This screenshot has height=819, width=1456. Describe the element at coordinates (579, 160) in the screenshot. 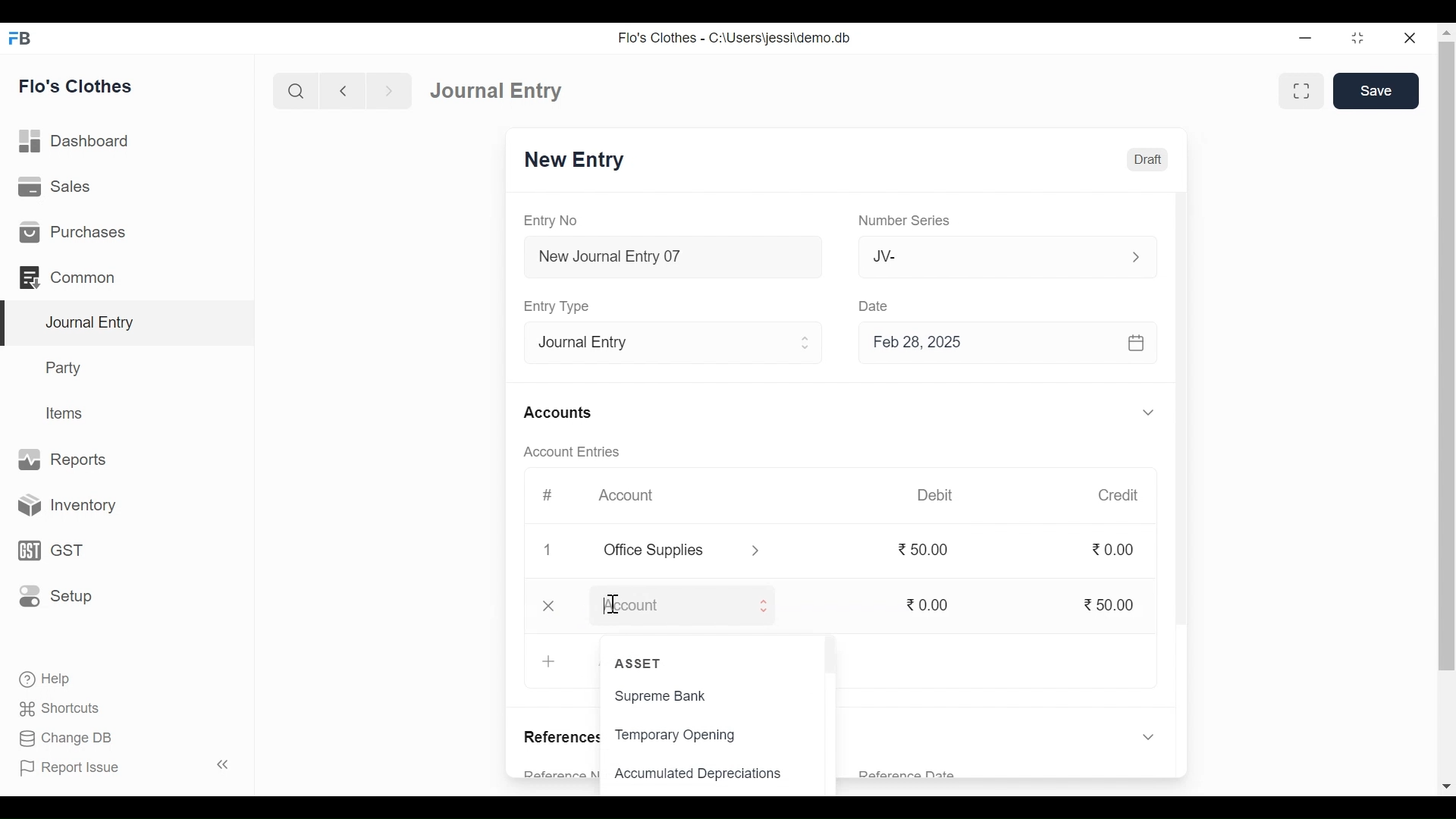

I see `New Entry` at that location.